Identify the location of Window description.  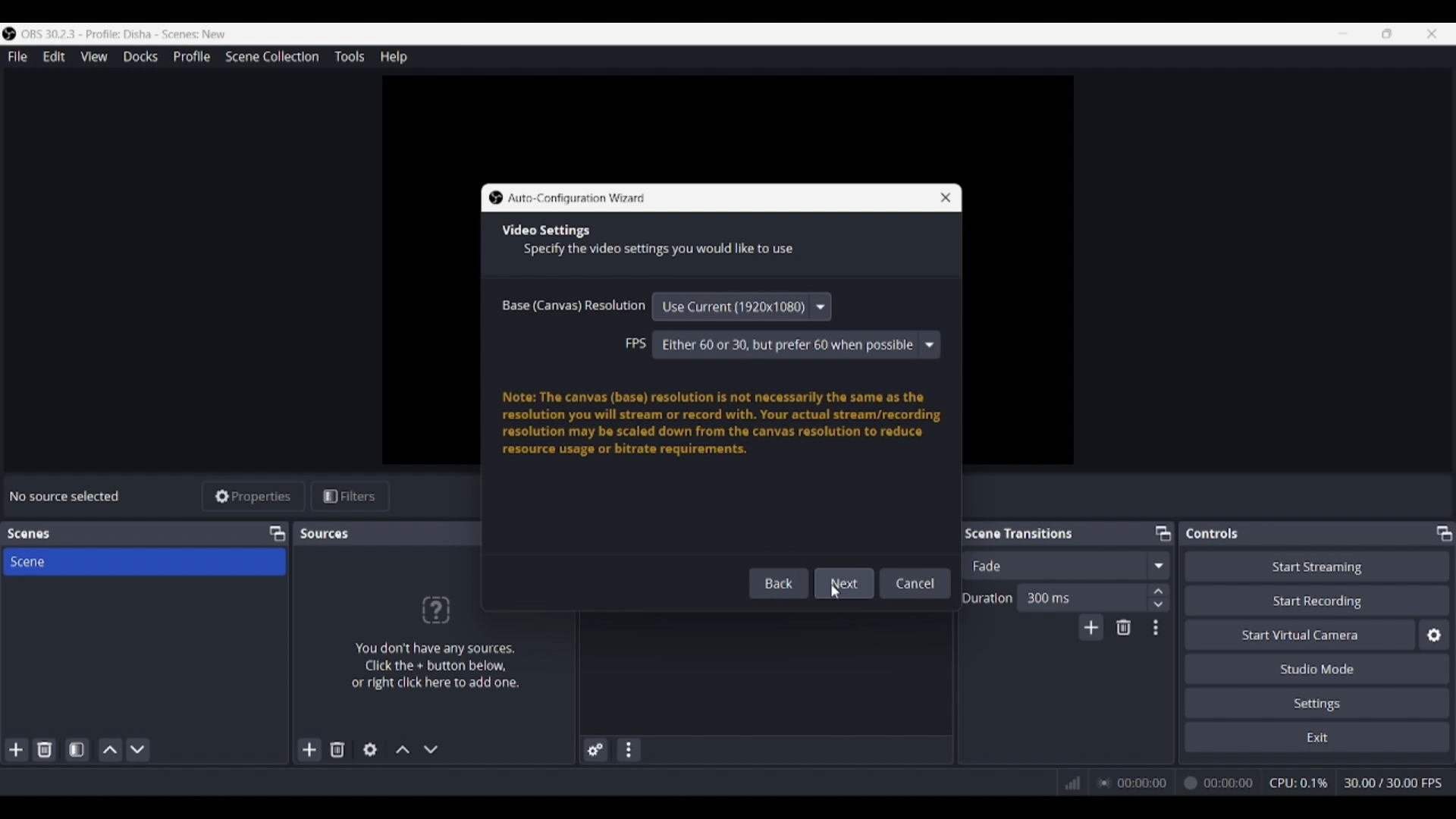
(722, 424).